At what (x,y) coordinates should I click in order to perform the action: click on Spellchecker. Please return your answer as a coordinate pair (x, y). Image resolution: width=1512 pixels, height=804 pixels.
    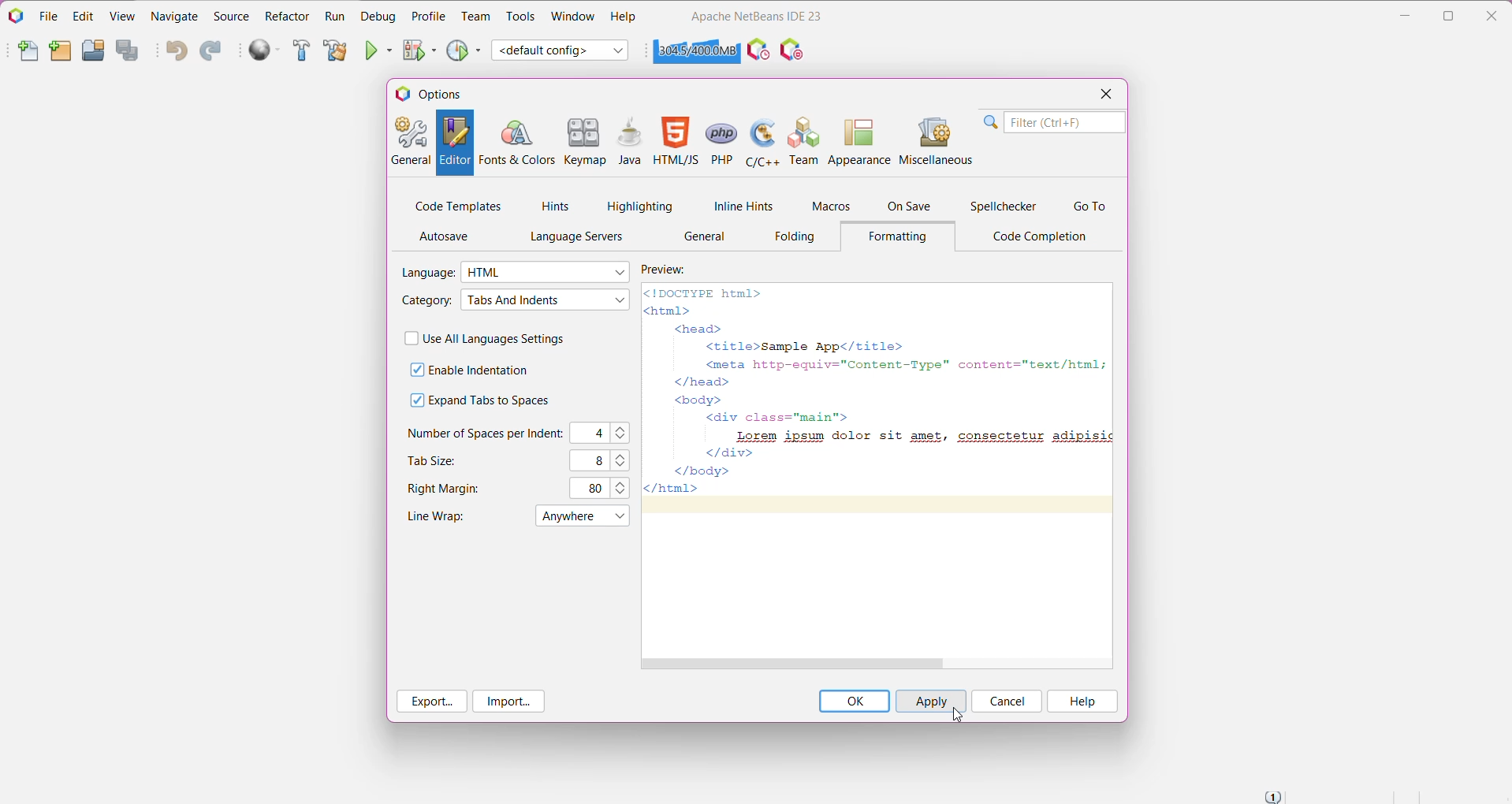
    Looking at the image, I should click on (1005, 207).